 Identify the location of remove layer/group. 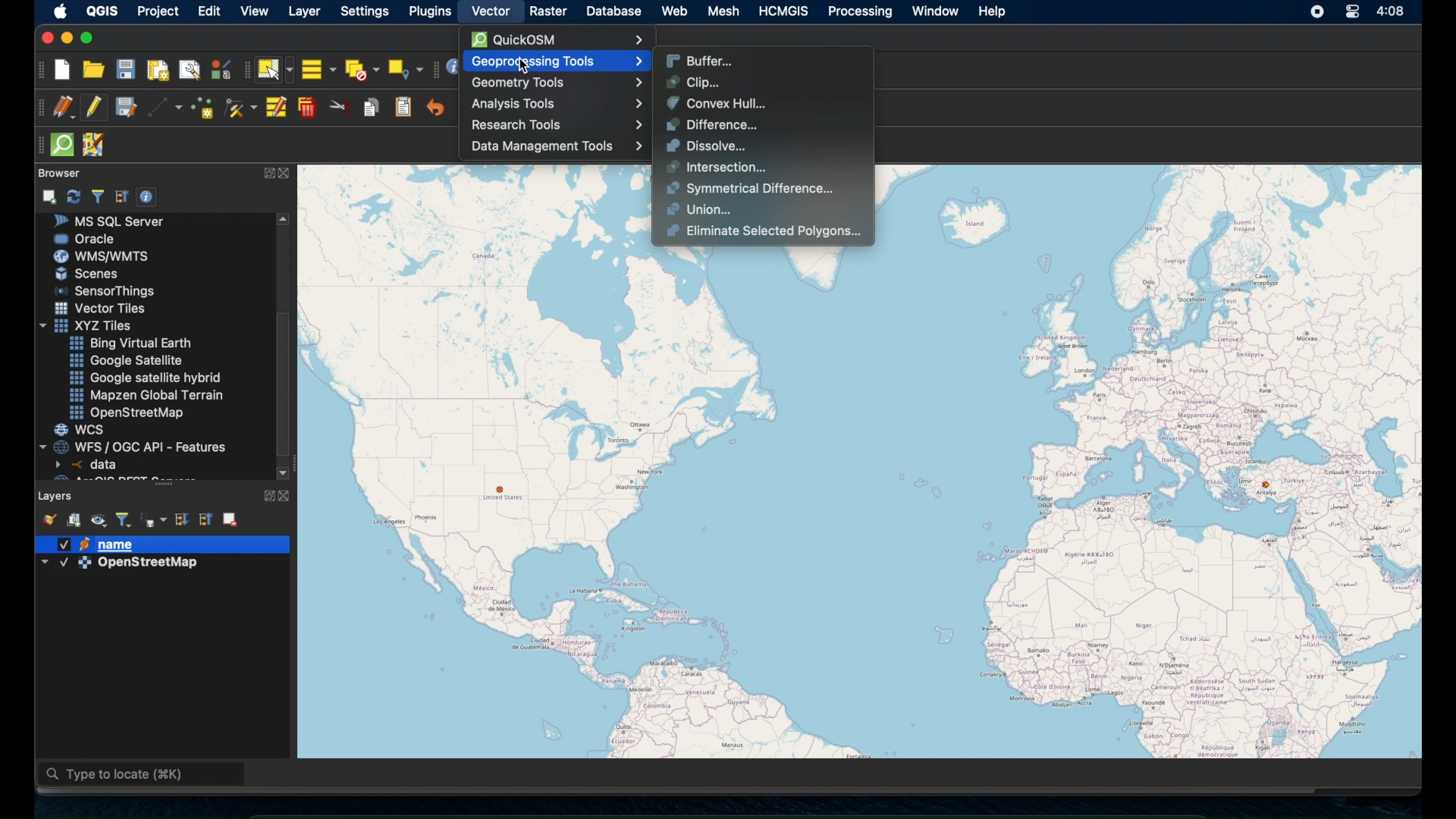
(231, 519).